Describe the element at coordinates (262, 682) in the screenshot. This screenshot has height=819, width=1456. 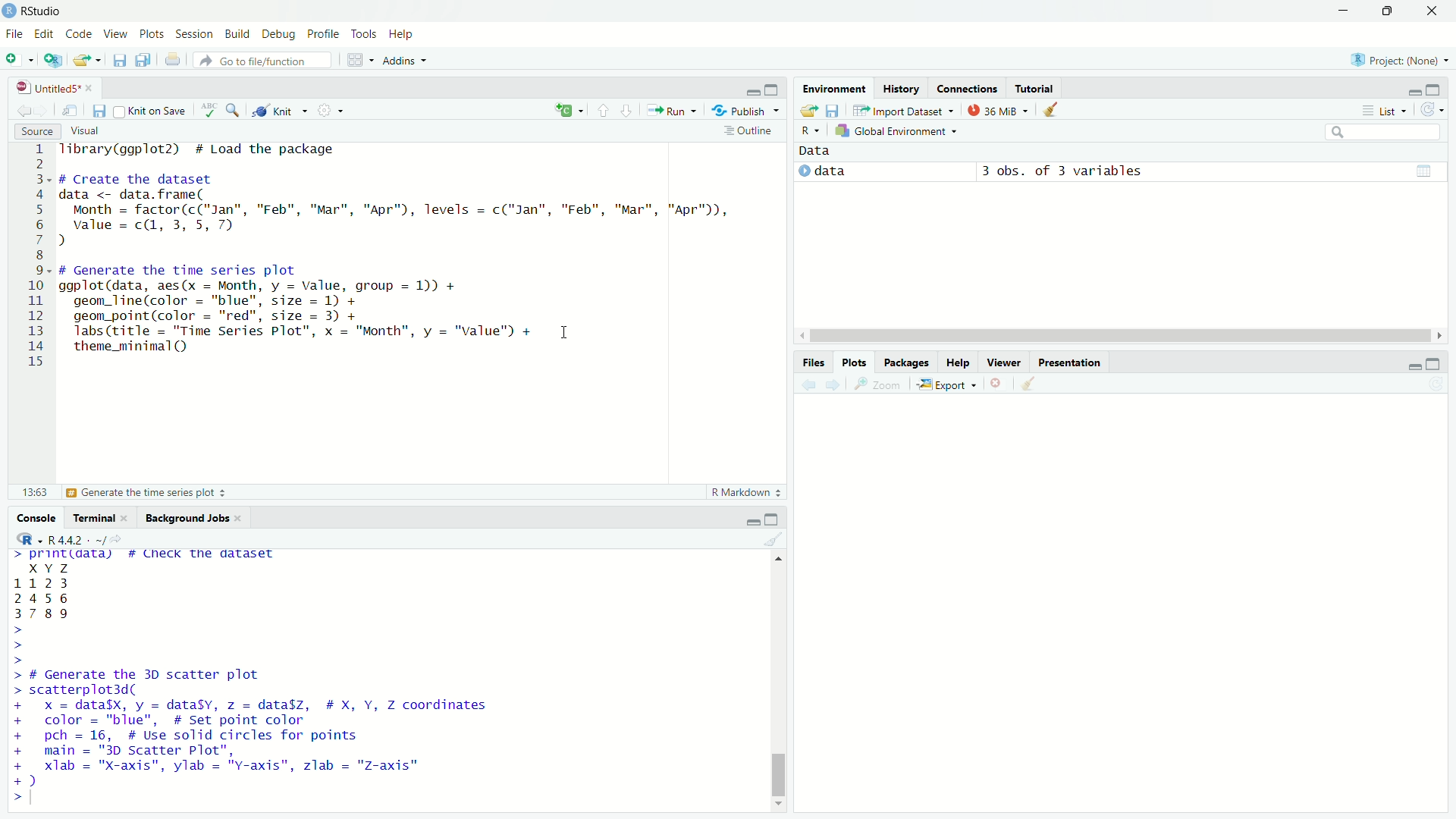
I see `> print(data) #check the dataset Xyz112324563789>>>> # Generate the 3D scatter plot> scatterplot3d(+ x = data$x, y = dataSy, z = data$z, # X, Y, Z coordinates+ color = "blue", # Set point color+ pch = 16, # Use solid circles for points+ main = "3D Scatter Plot",+ xlab = "X-axis", ylab = "y-axis", zlab = "Z-axis"+)>|` at that location.